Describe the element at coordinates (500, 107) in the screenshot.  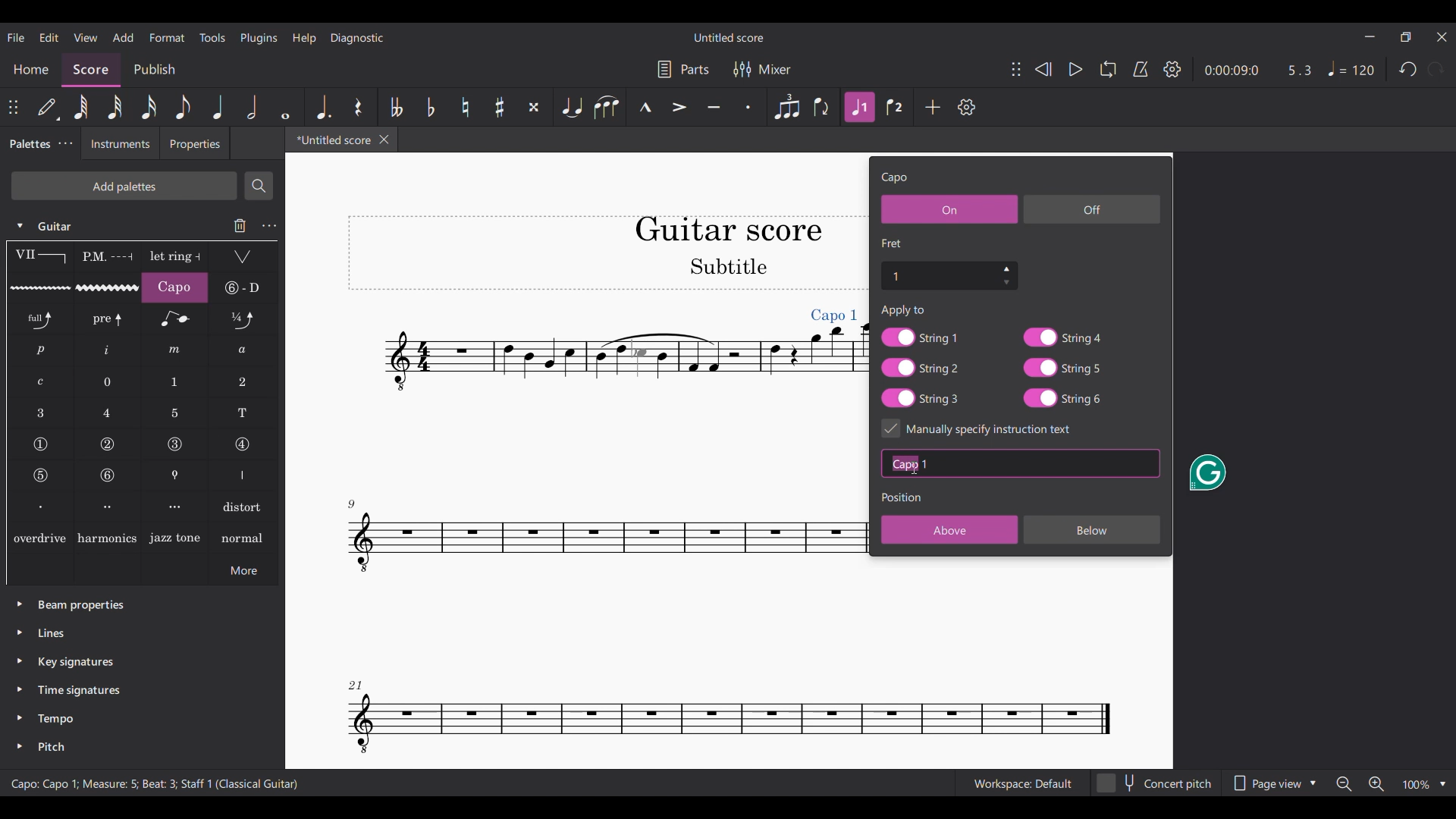
I see `Toggle sharp` at that location.